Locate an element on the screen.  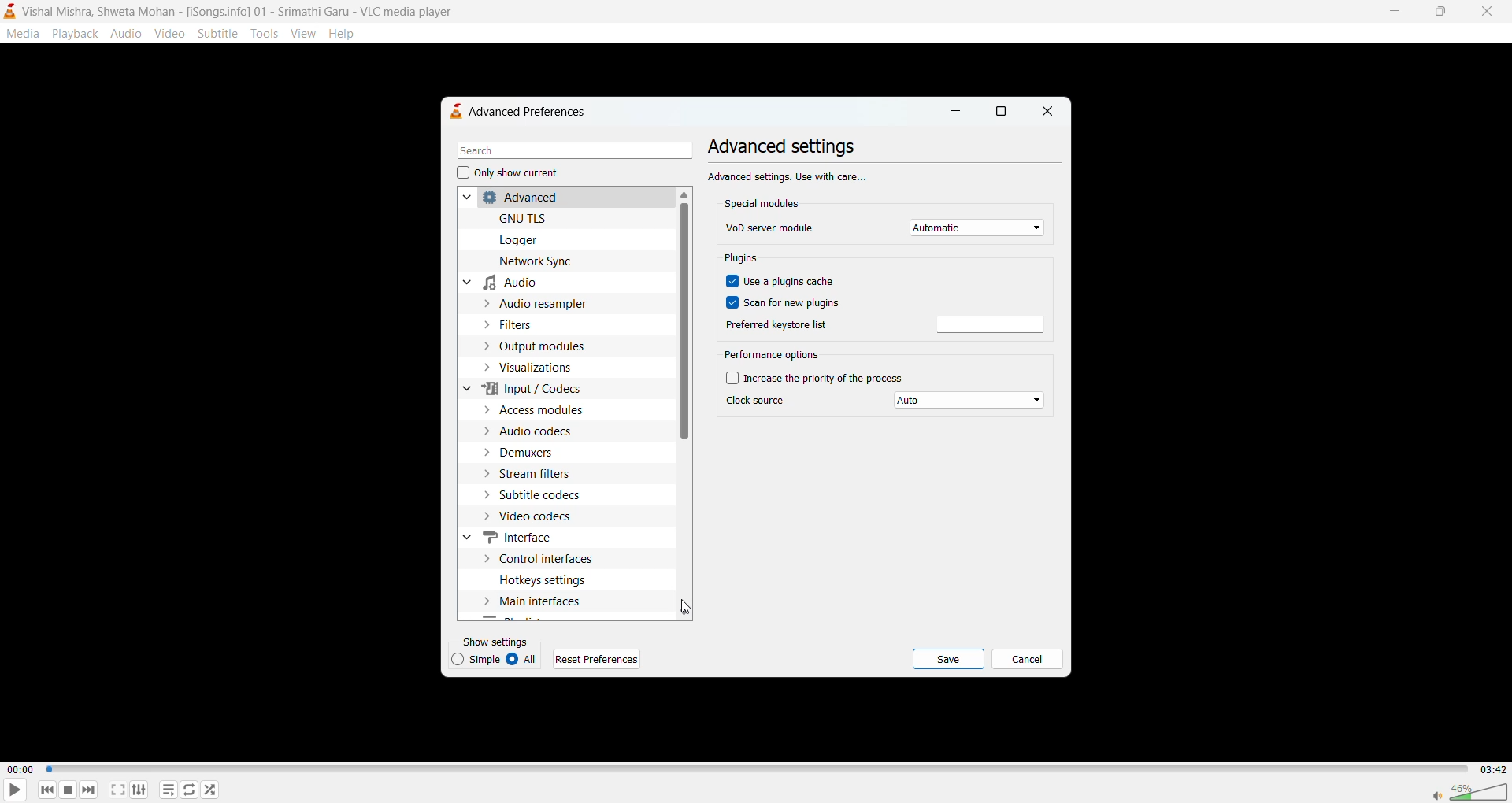
03:42 is located at coordinates (1490, 769).